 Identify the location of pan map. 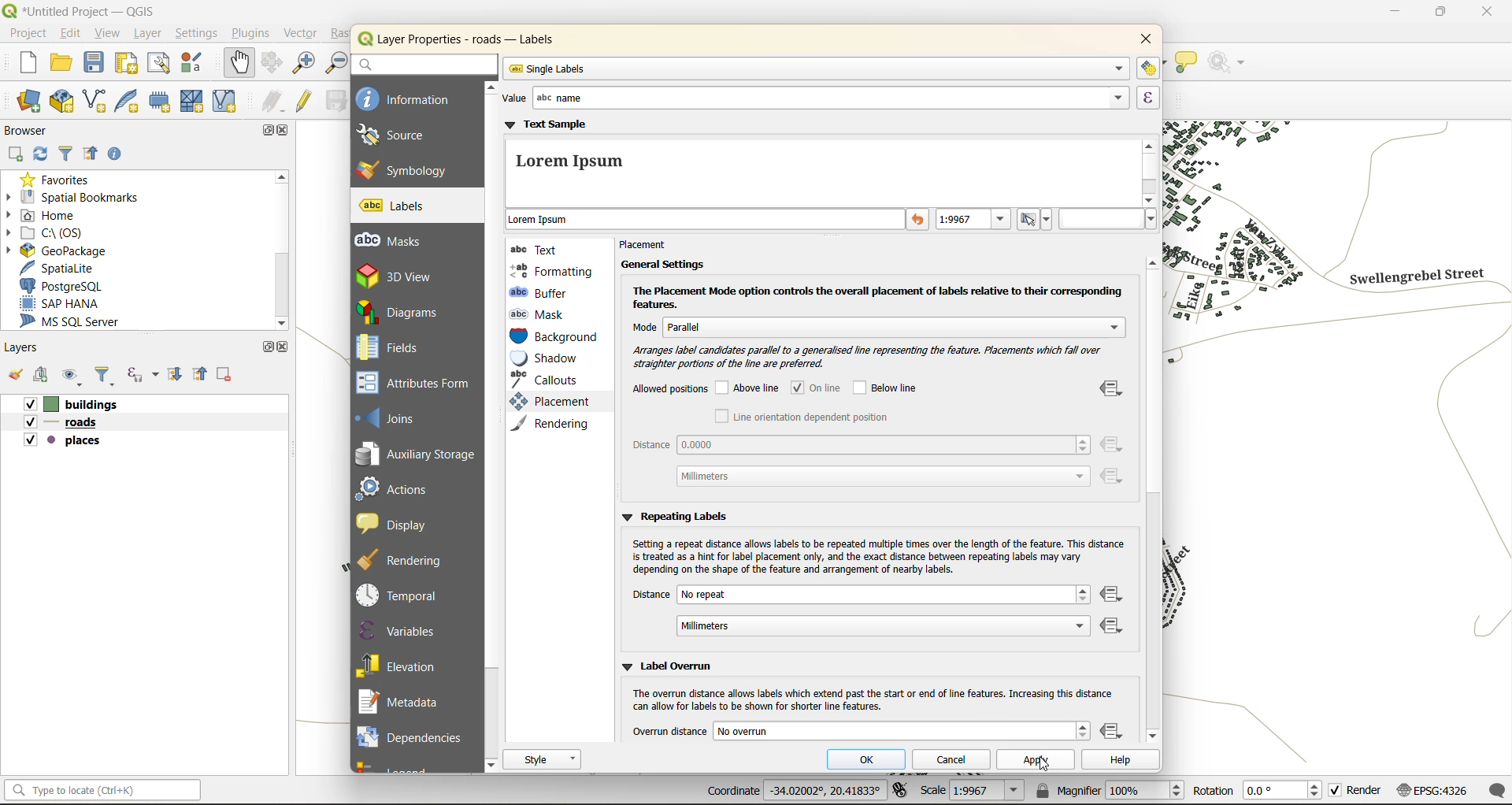
(236, 63).